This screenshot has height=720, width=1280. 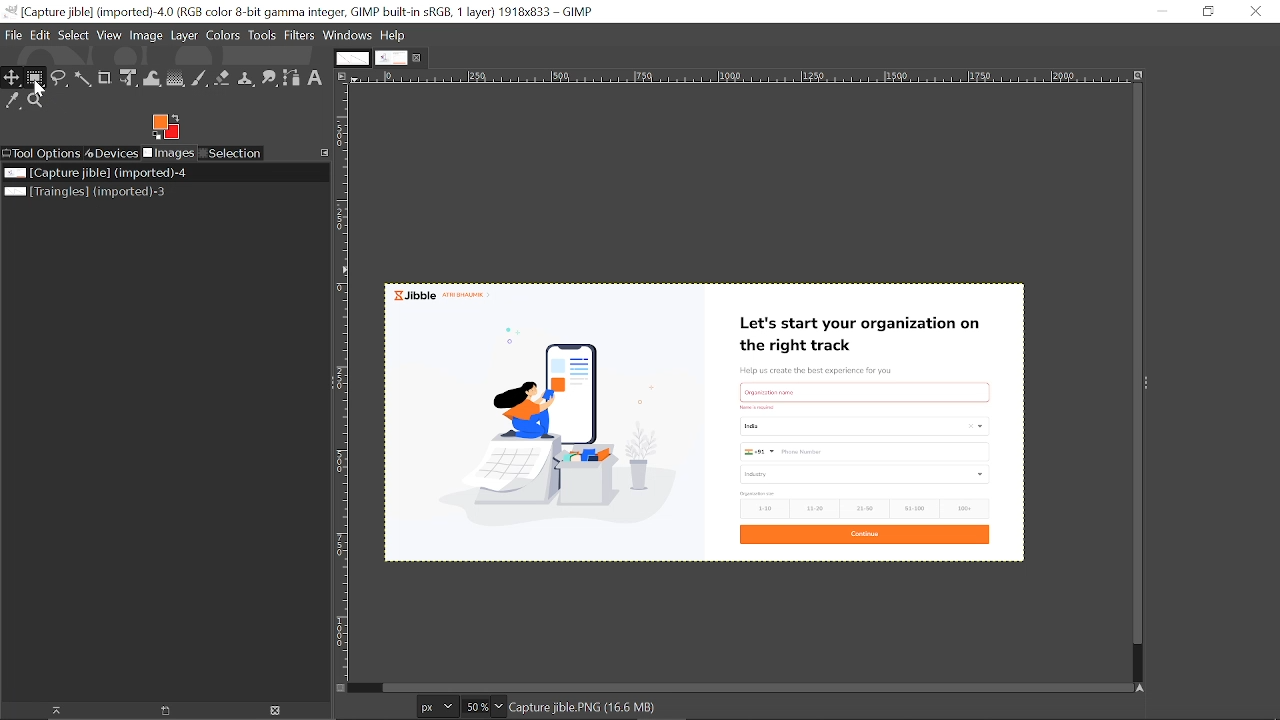 What do you see at coordinates (418, 59) in the screenshot?
I see `Close current tab` at bounding box center [418, 59].